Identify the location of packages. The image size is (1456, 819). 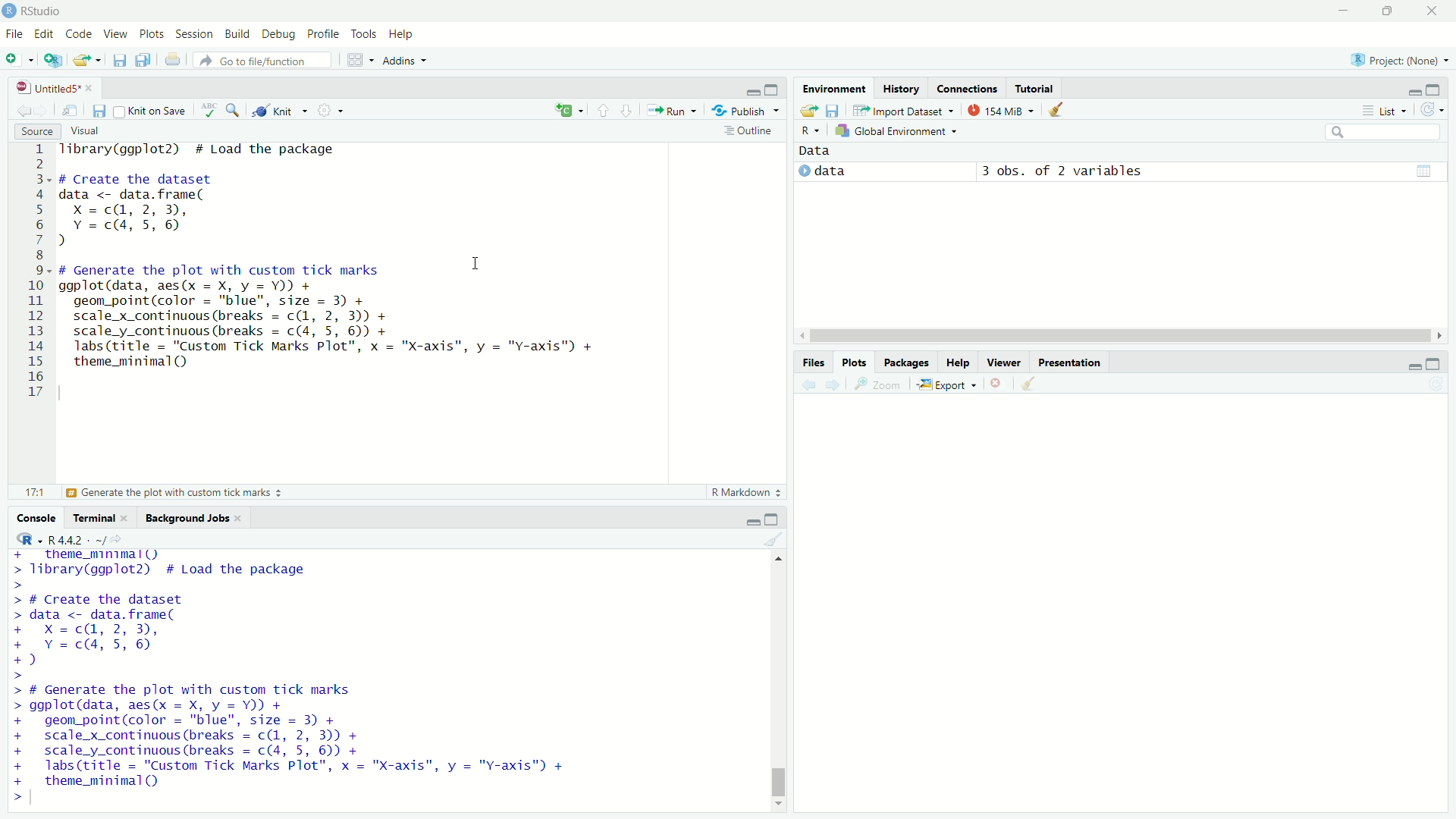
(907, 362).